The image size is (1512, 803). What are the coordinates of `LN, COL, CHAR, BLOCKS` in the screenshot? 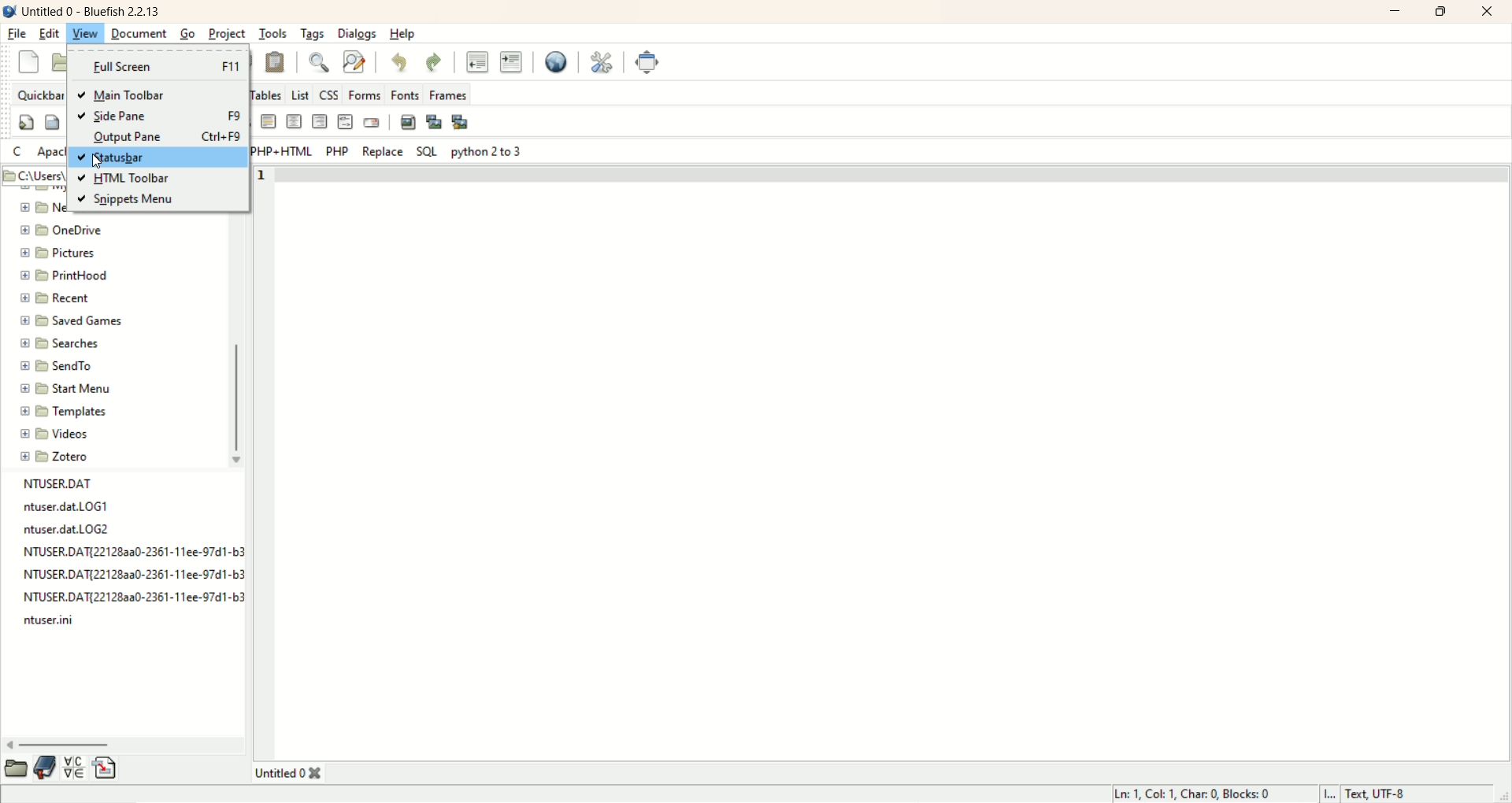 It's located at (1193, 793).